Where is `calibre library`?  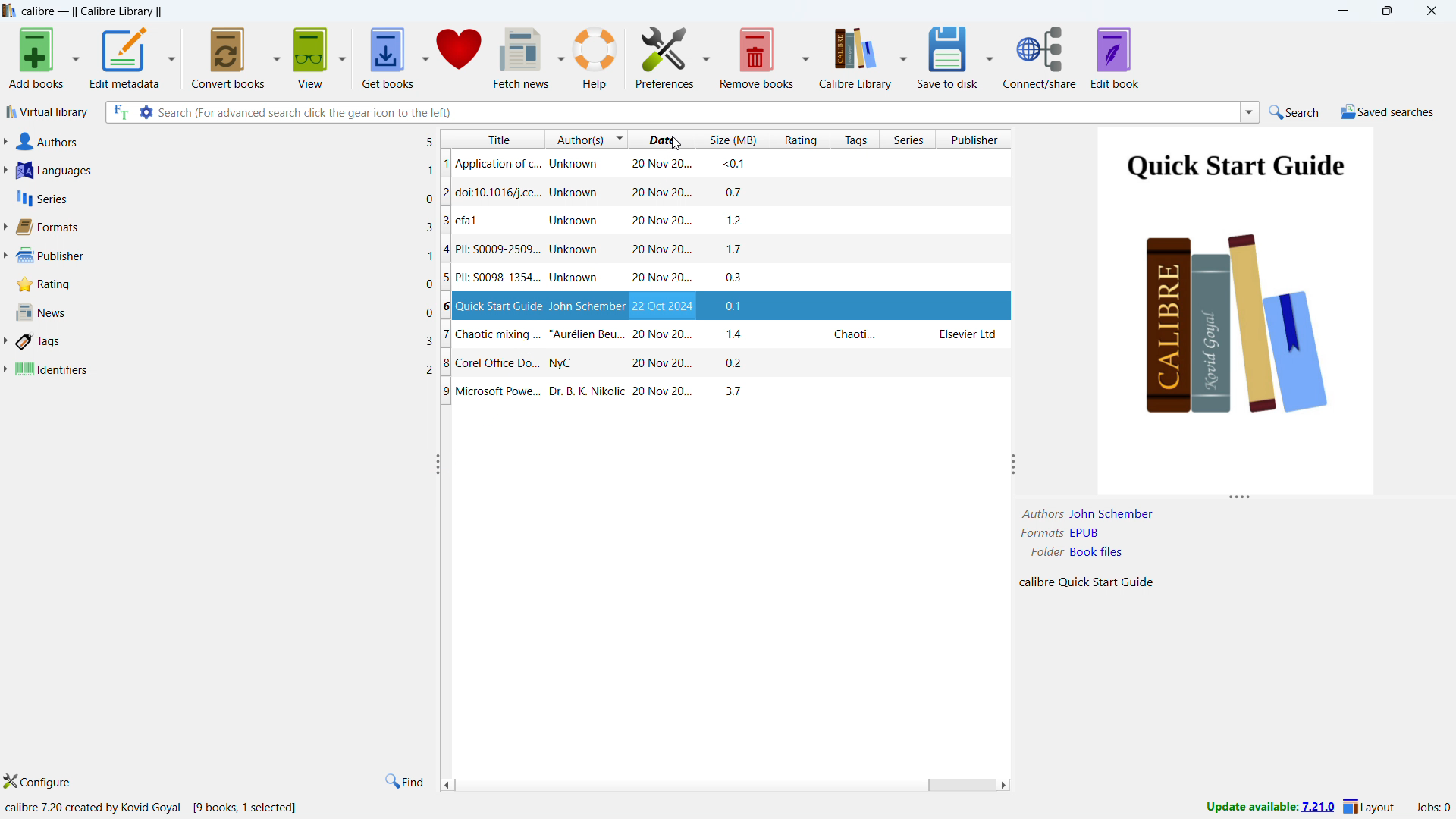
calibre library is located at coordinates (855, 55).